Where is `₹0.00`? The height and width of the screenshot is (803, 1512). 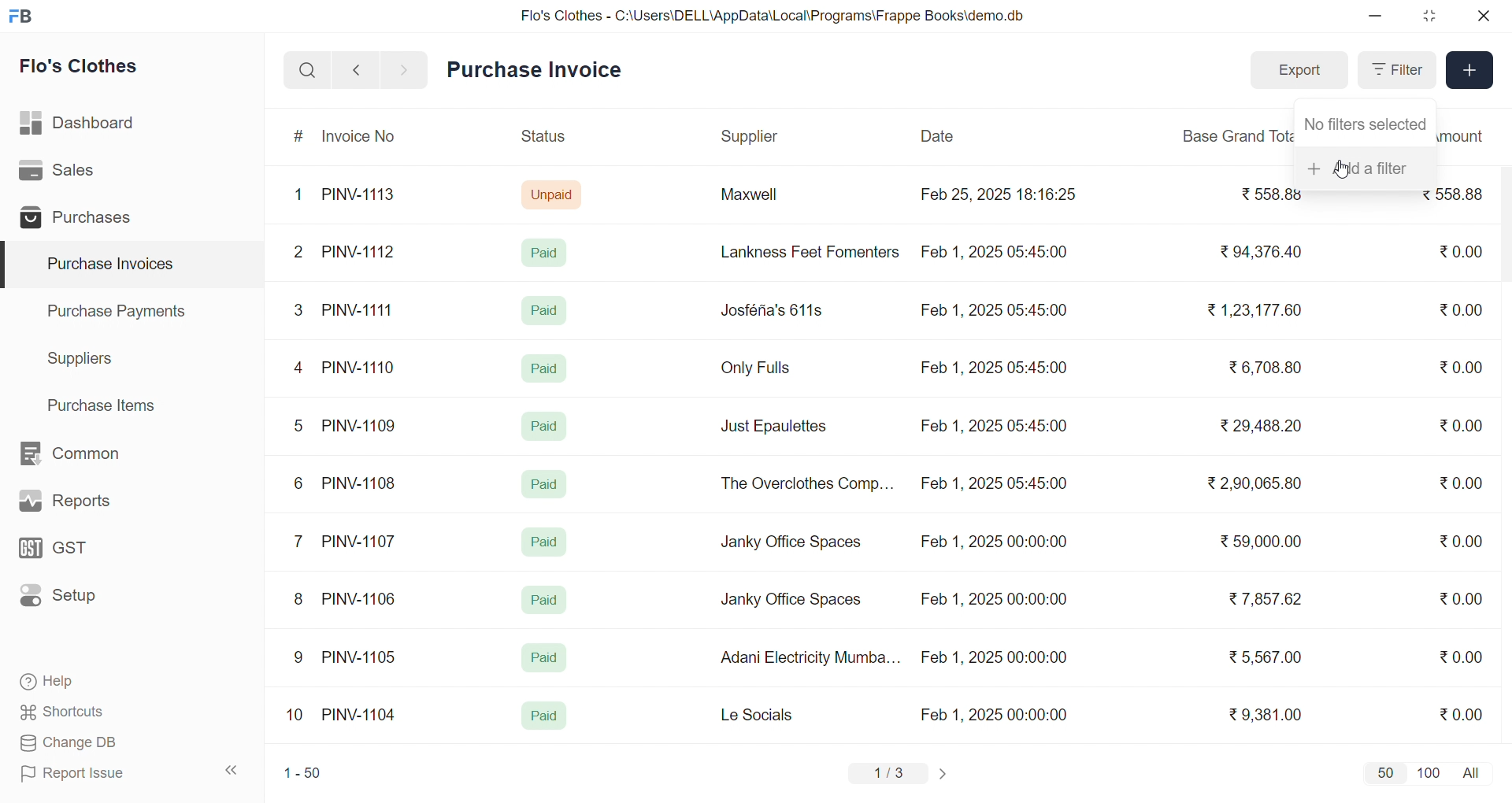 ₹0.00 is located at coordinates (1461, 713).